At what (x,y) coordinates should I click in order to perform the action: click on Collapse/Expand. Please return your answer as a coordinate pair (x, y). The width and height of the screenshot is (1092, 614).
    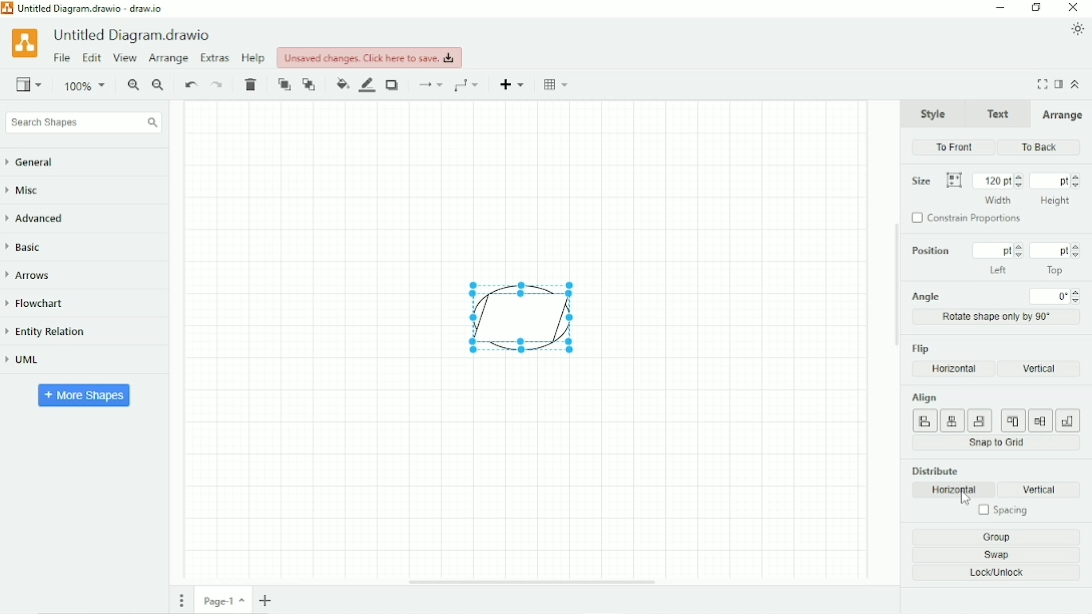
    Looking at the image, I should click on (1076, 83).